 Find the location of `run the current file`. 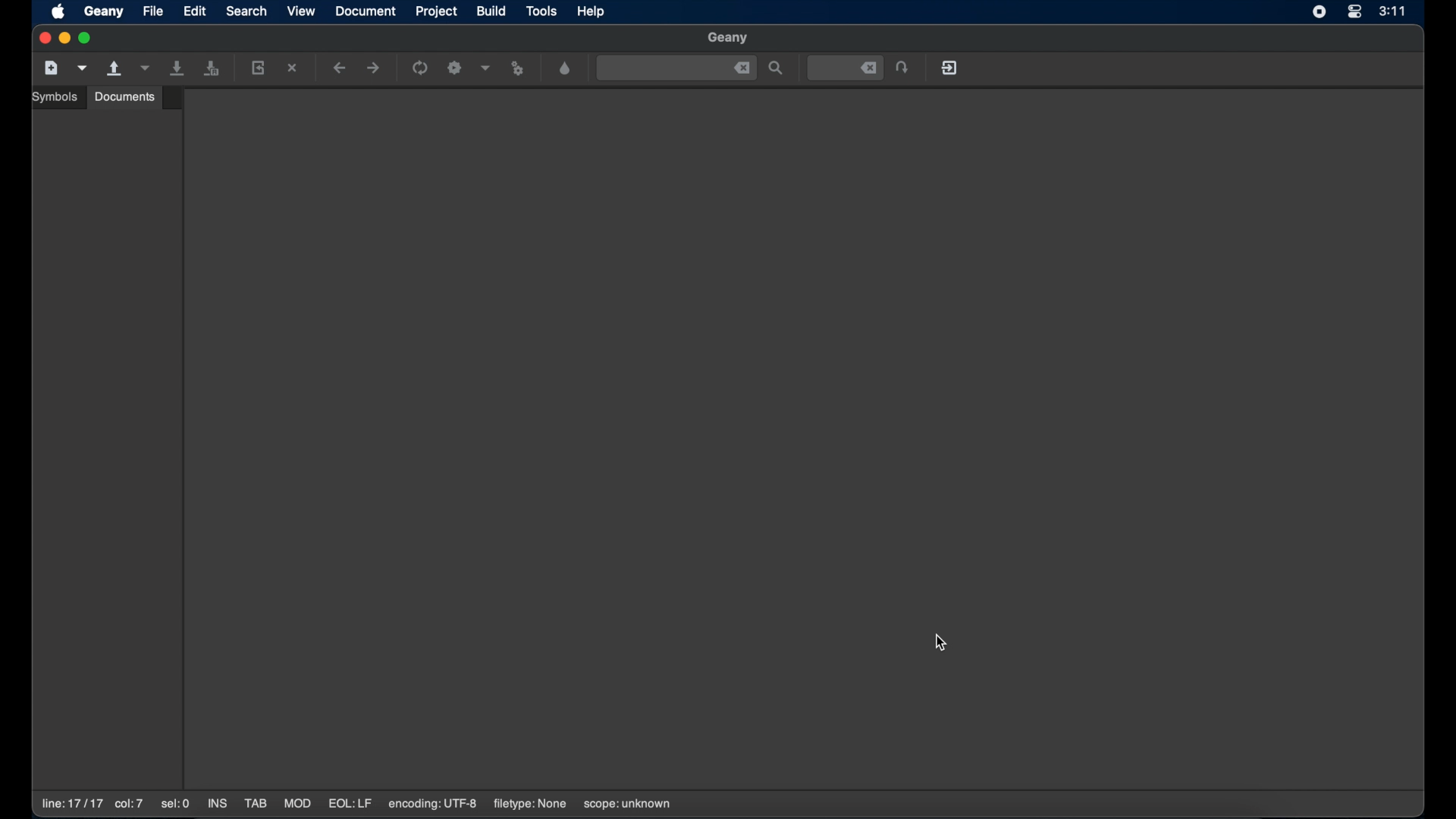

run the current file is located at coordinates (421, 68).